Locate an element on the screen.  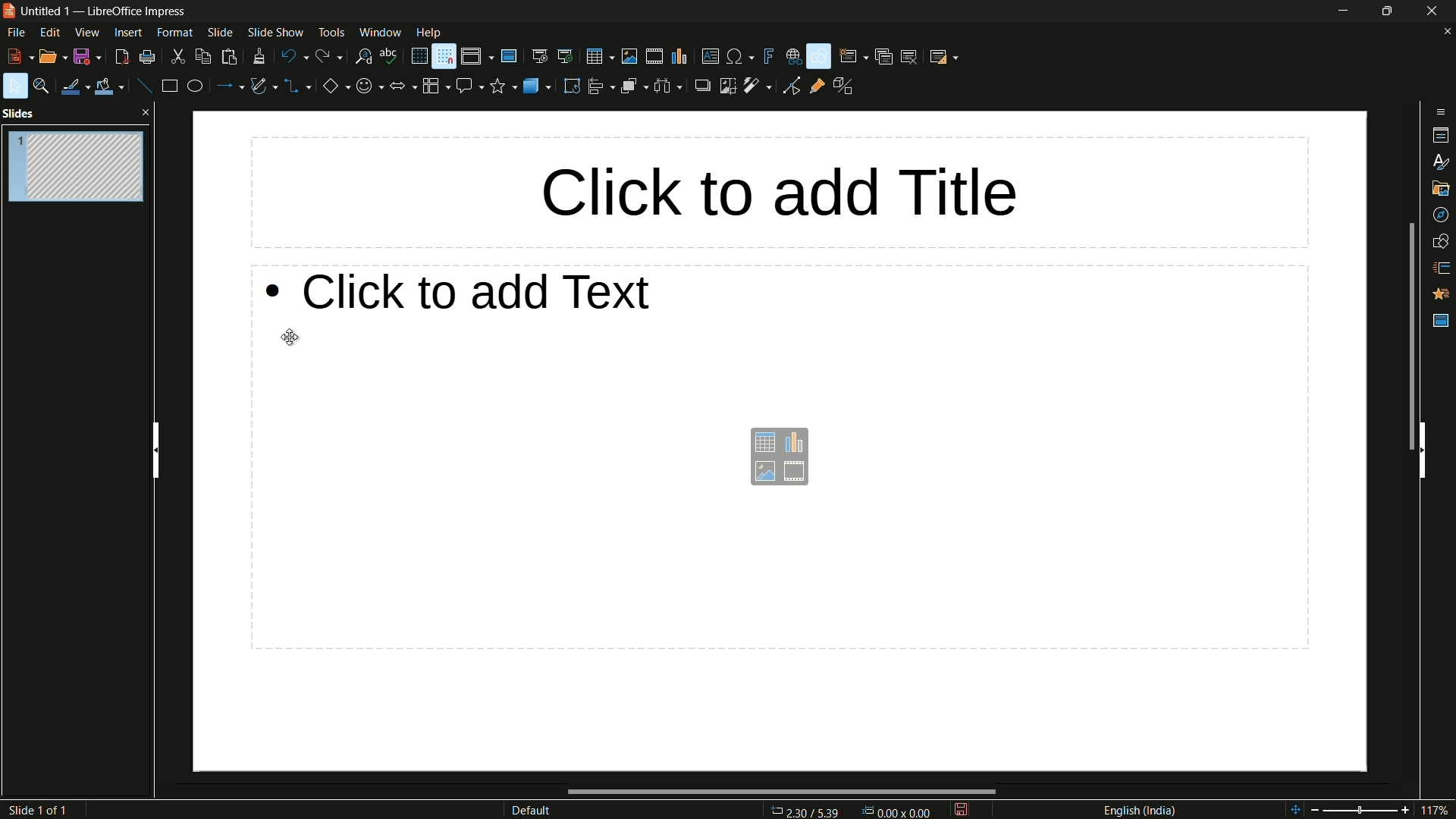
close document is located at coordinates (1445, 32).